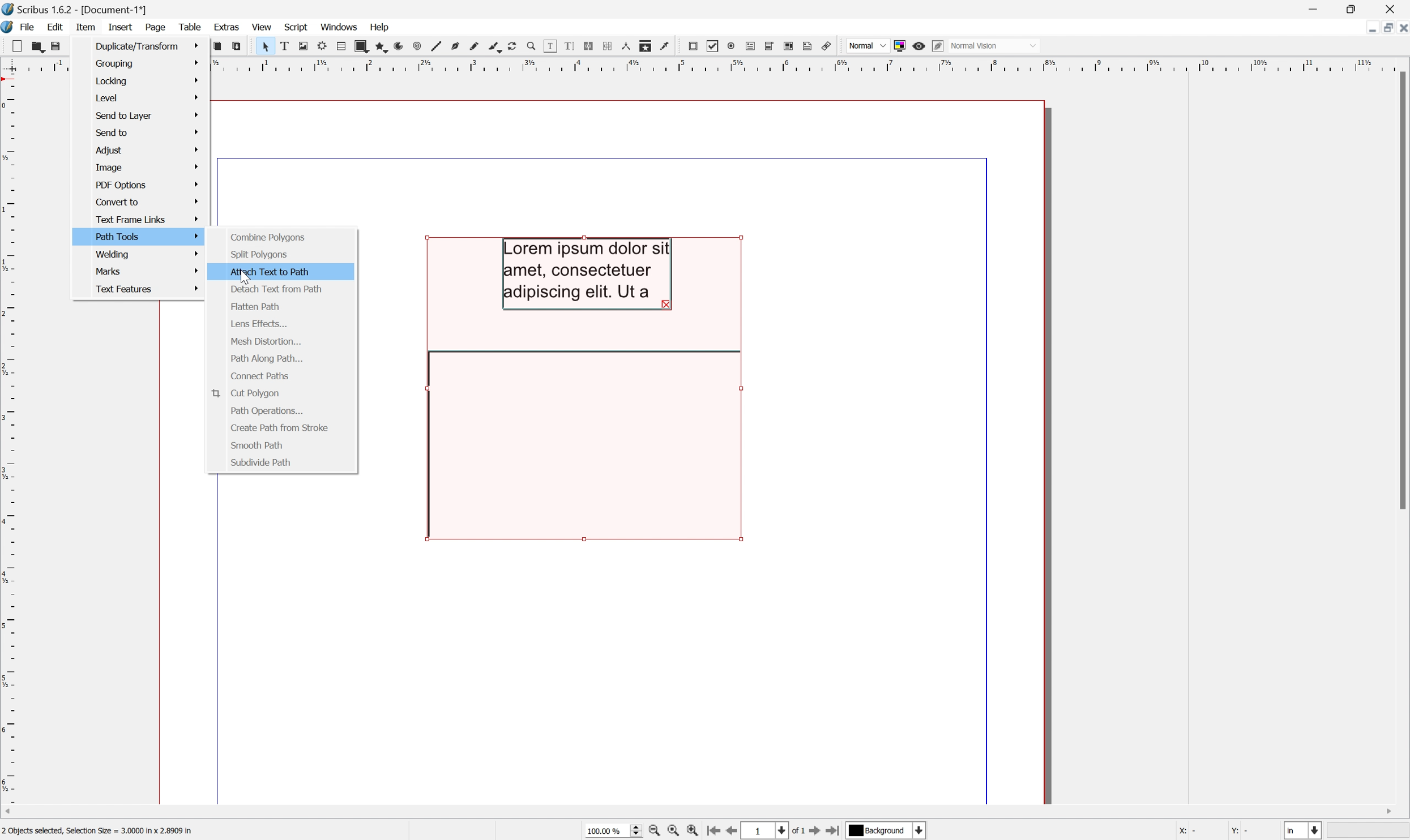  Describe the element at coordinates (54, 28) in the screenshot. I see `Edit` at that location.